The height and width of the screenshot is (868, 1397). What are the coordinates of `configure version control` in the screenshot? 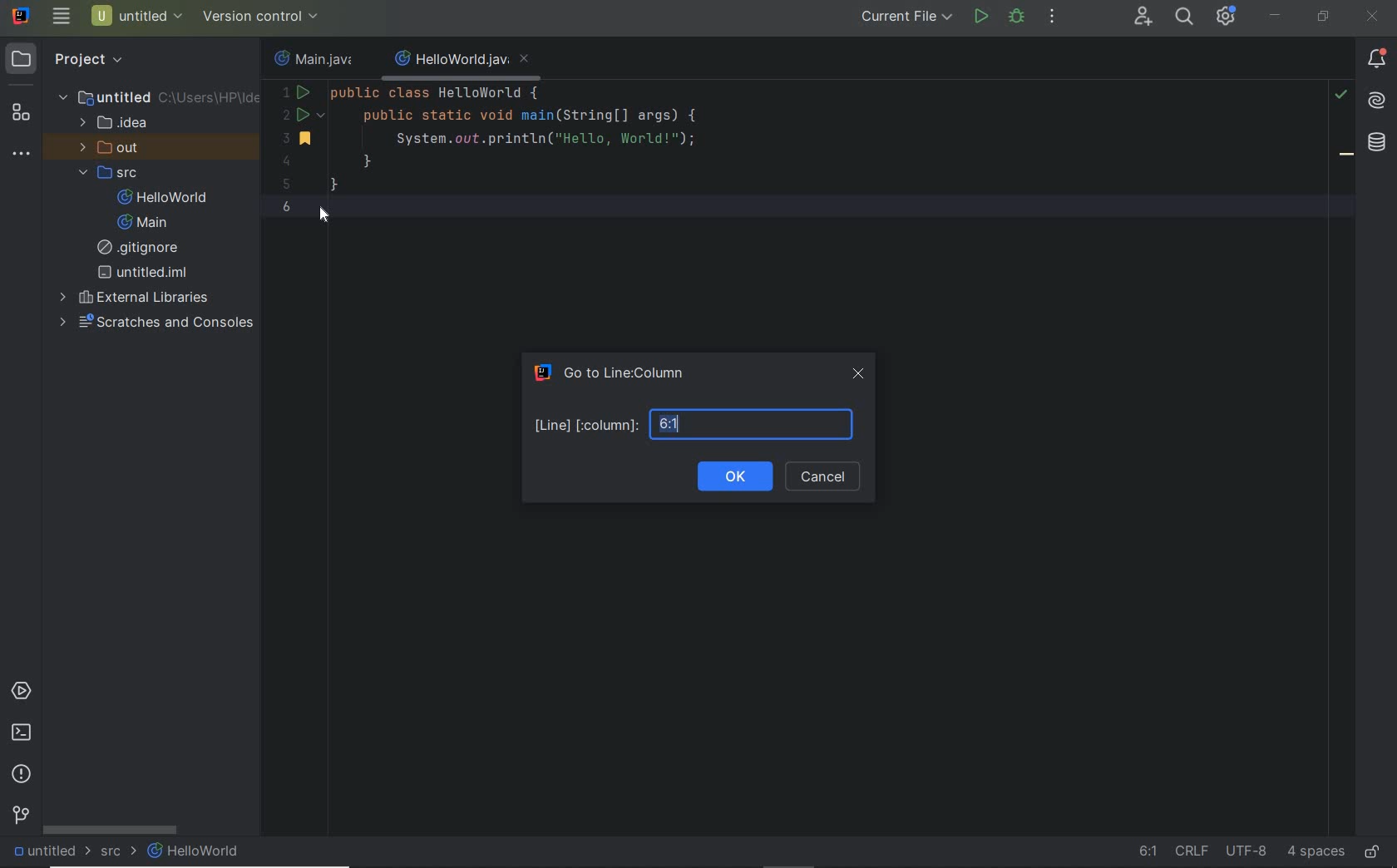 It's located at (259, 17).